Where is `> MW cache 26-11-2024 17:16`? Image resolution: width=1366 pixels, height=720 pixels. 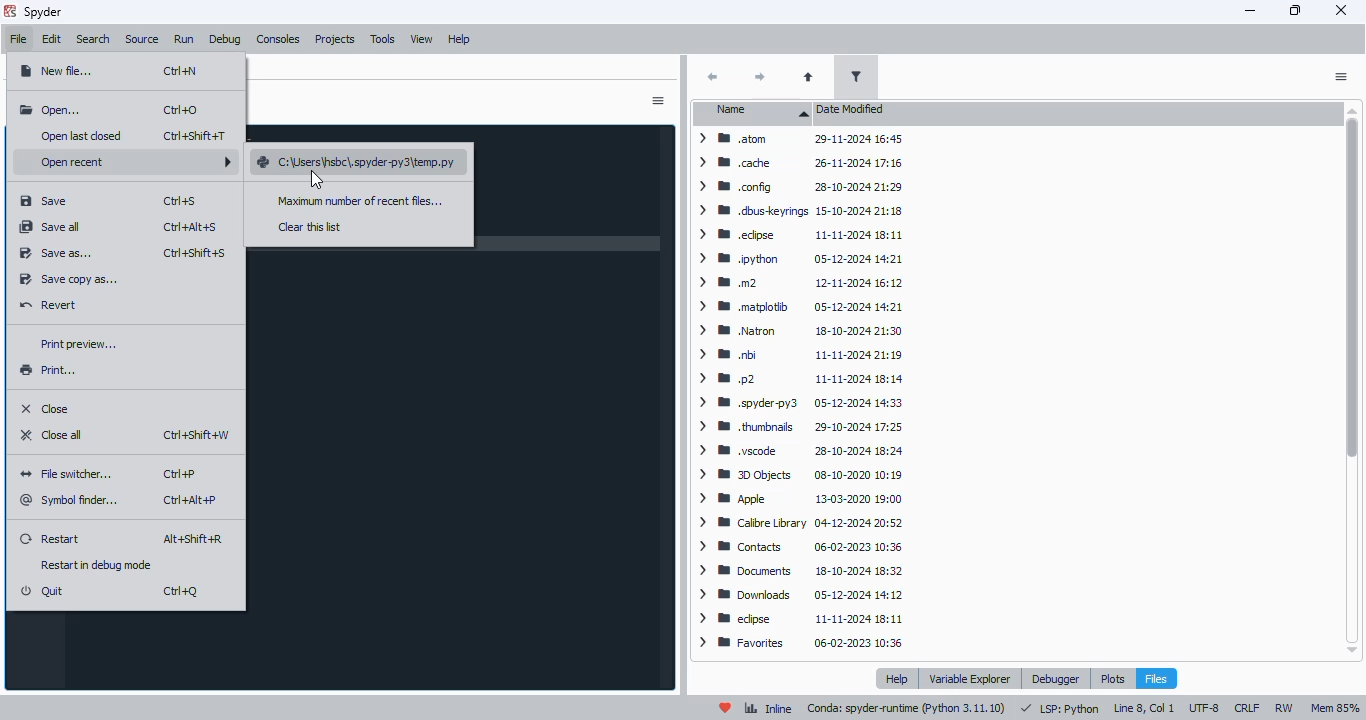
> MW cache 26-11-2024 17:16 is located at coordinates (801, 163).